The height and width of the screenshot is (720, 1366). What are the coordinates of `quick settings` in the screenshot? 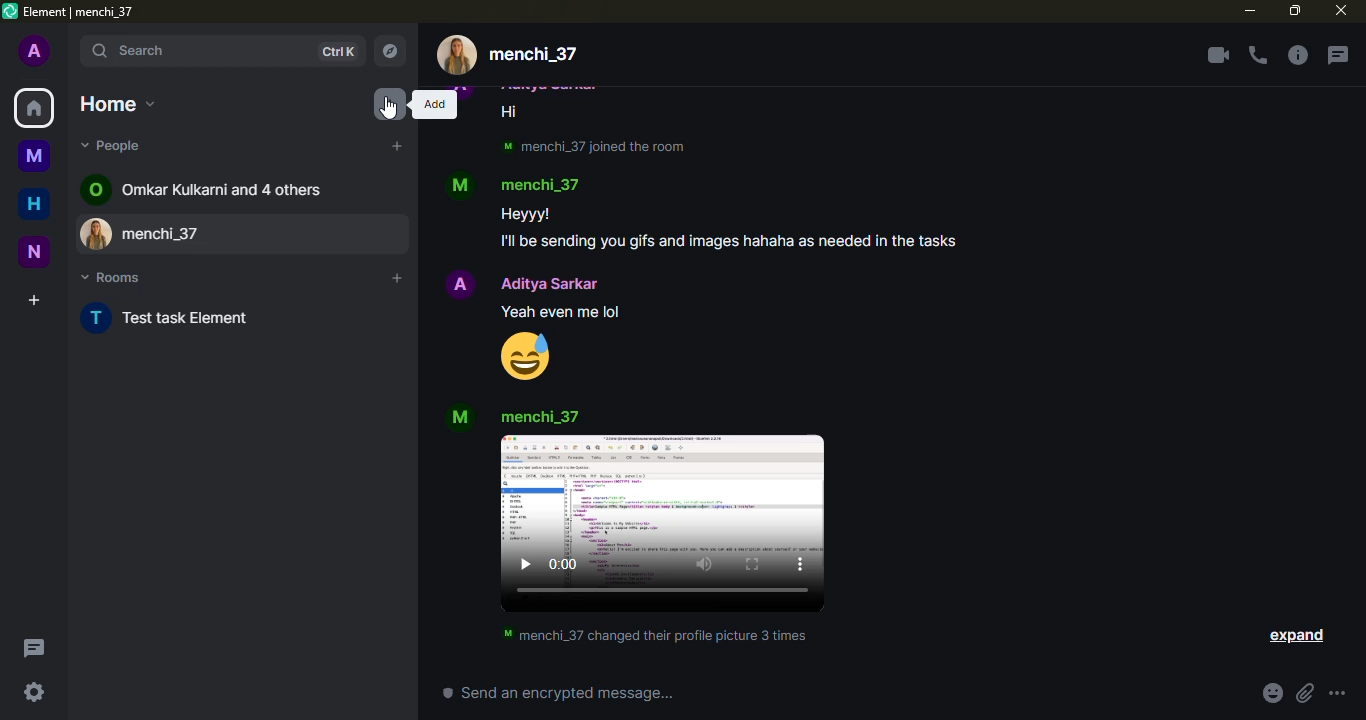 It's located at (34, 692).